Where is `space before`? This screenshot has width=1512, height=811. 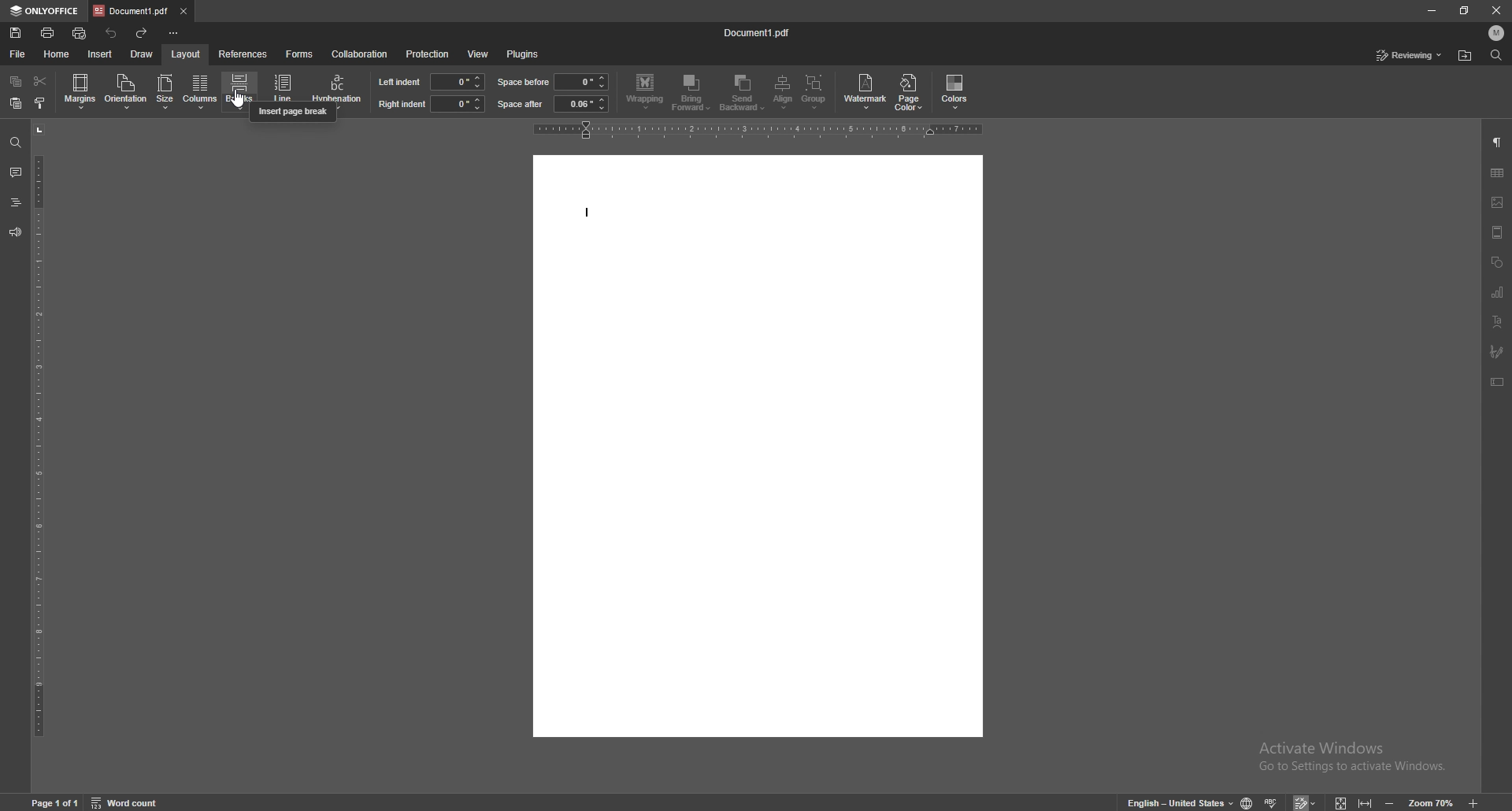 space before is located at coordinates (580, 82).